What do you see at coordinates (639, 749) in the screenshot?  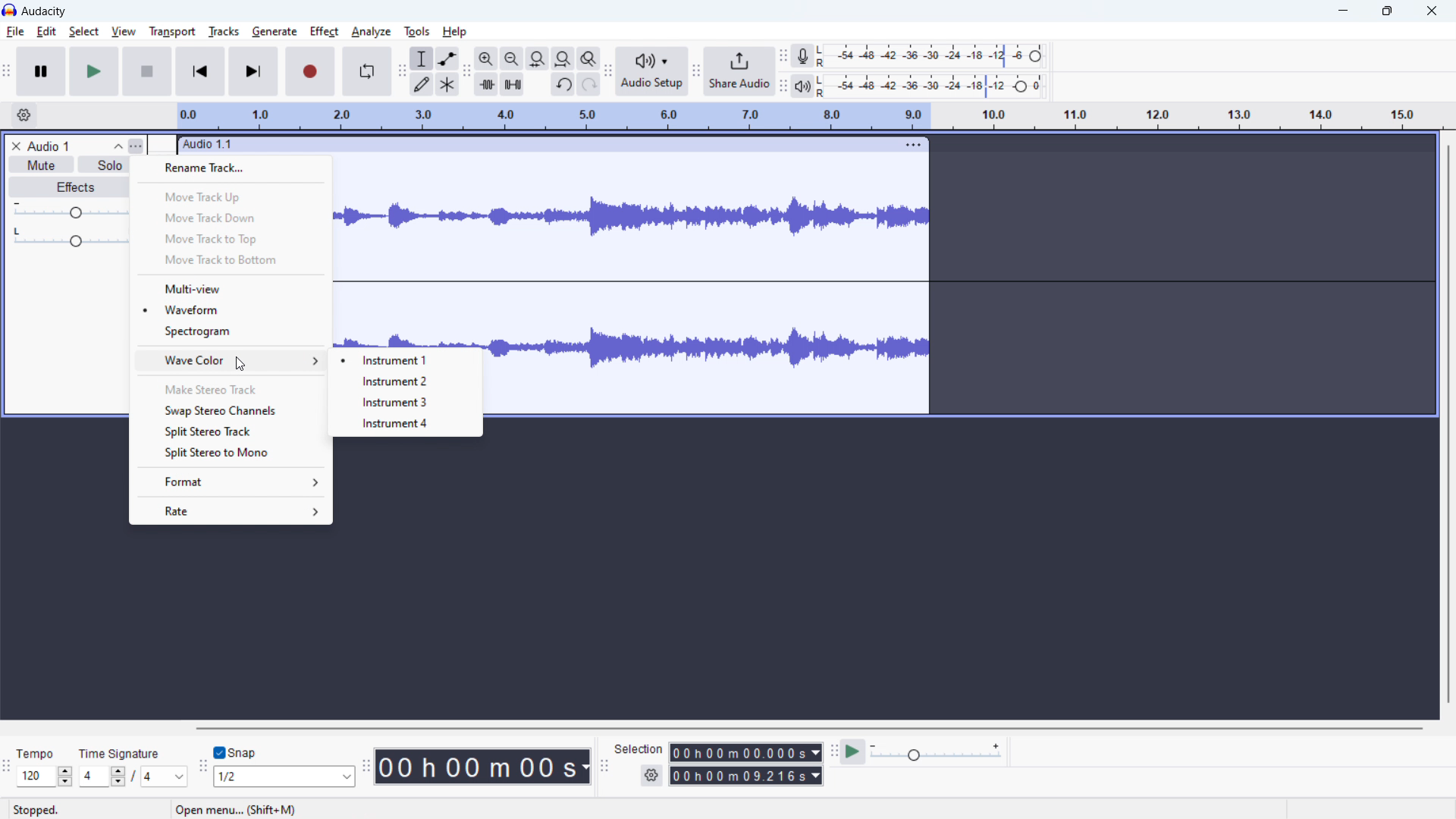 I see `Selection` at bounding box center [639, 749].